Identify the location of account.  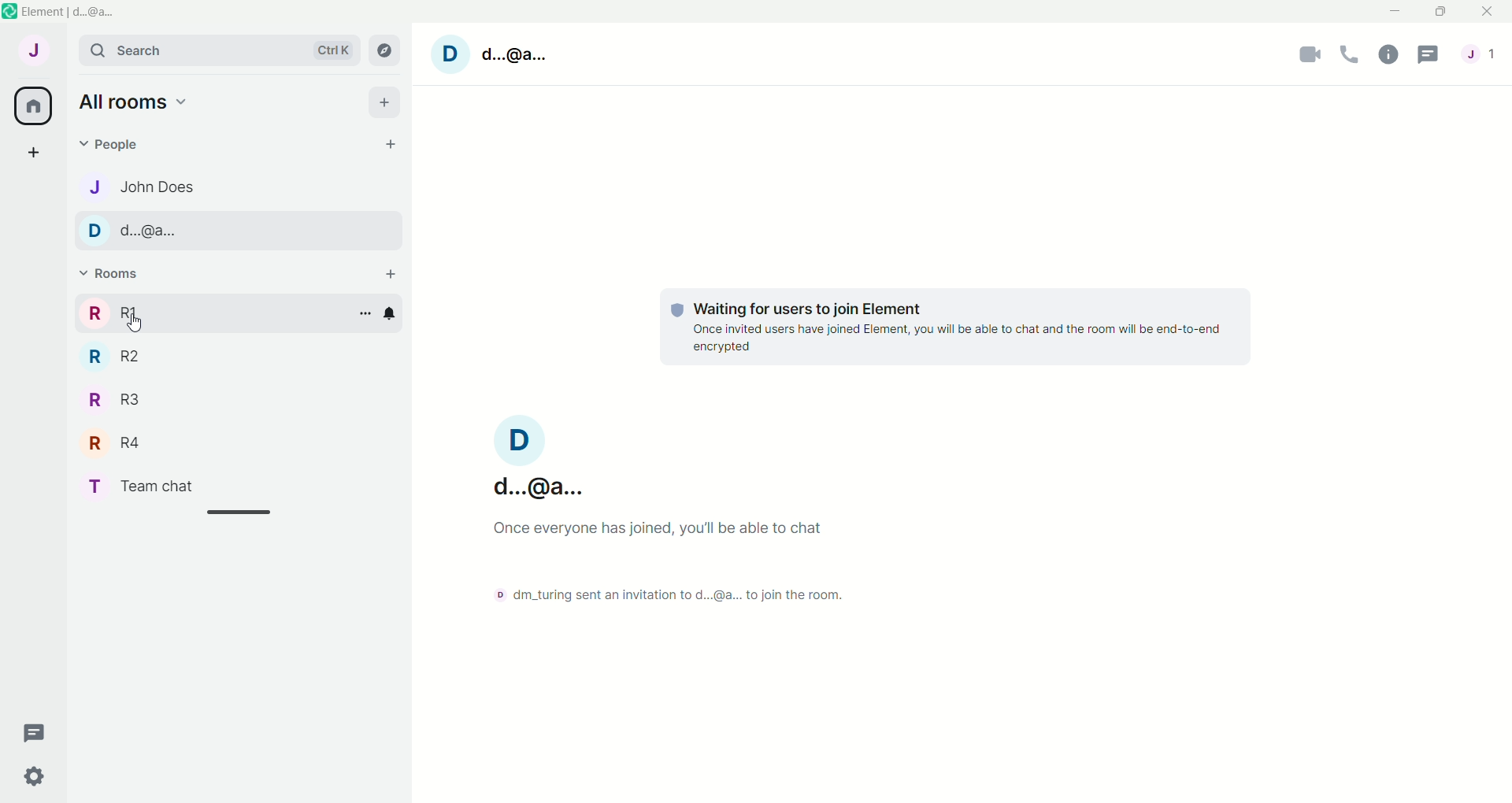
(495, 52).